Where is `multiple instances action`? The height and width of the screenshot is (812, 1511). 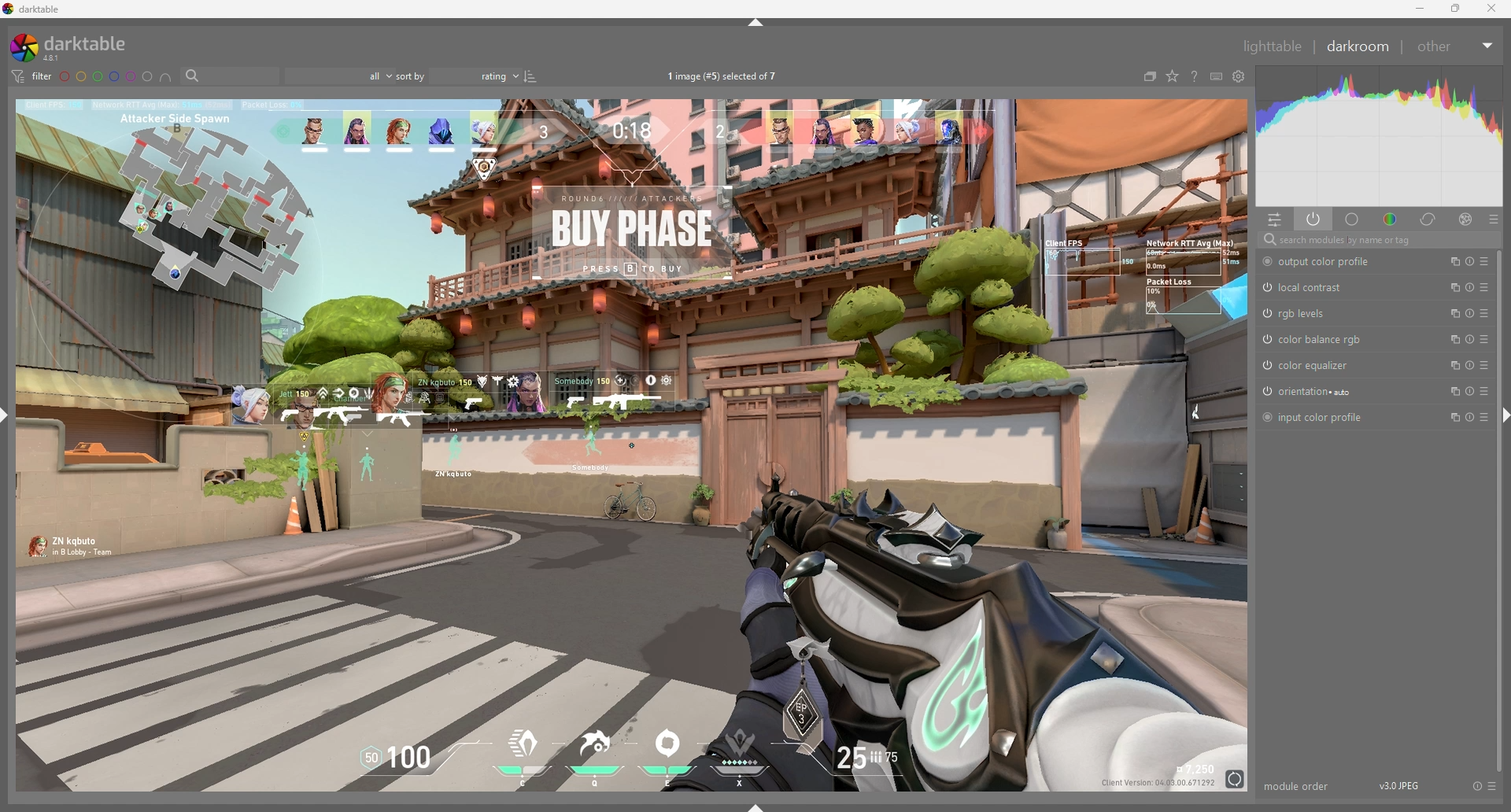
multiple instances action is located at coordinates (1450, 288).